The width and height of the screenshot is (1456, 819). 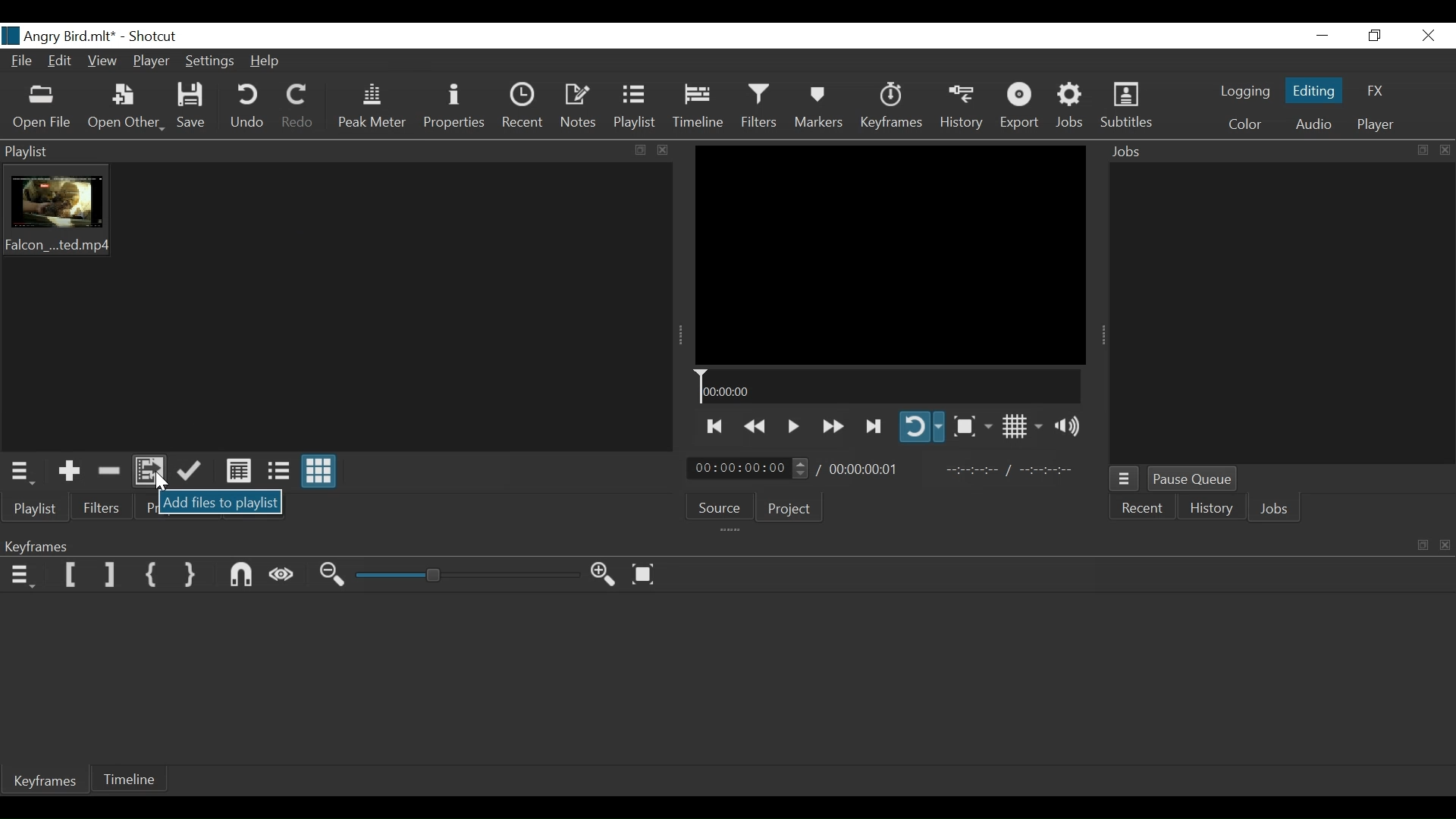 I want to click on Filters, so click(x=761, y=107).